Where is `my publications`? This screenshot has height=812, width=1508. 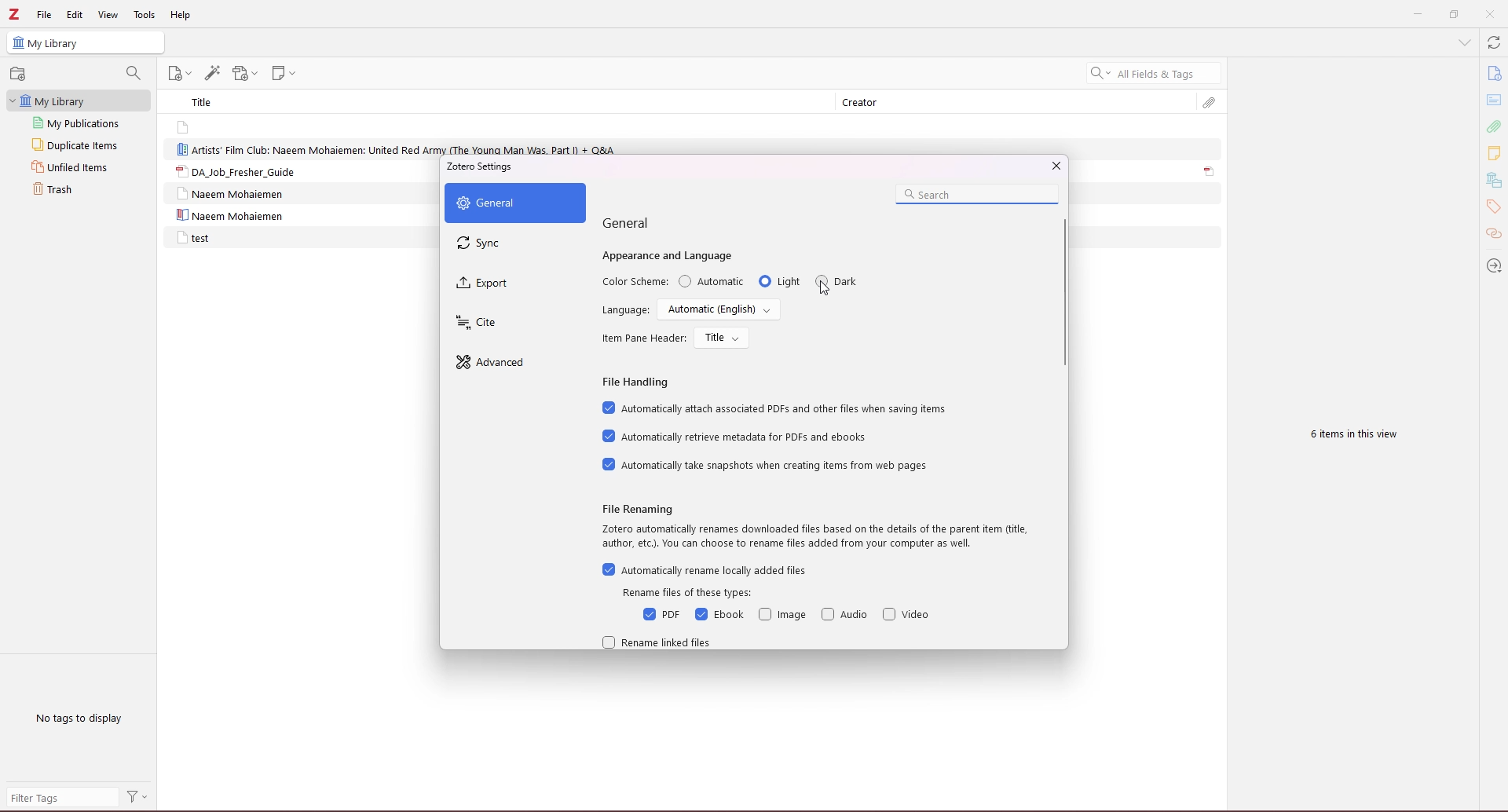 my publications is located at coordinates (79, 122).